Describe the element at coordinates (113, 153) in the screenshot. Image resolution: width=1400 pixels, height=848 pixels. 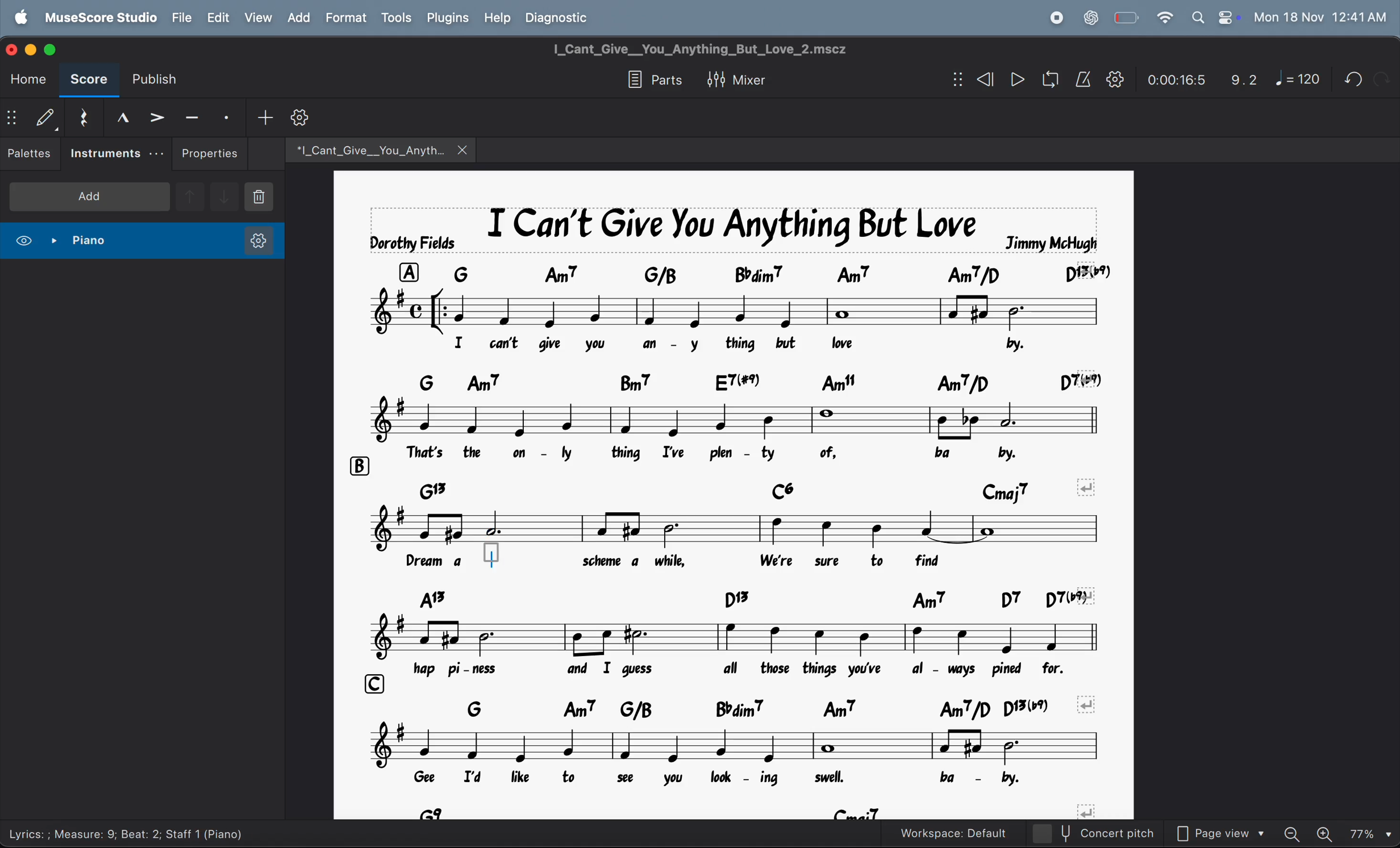
I see `instruments` at that location.